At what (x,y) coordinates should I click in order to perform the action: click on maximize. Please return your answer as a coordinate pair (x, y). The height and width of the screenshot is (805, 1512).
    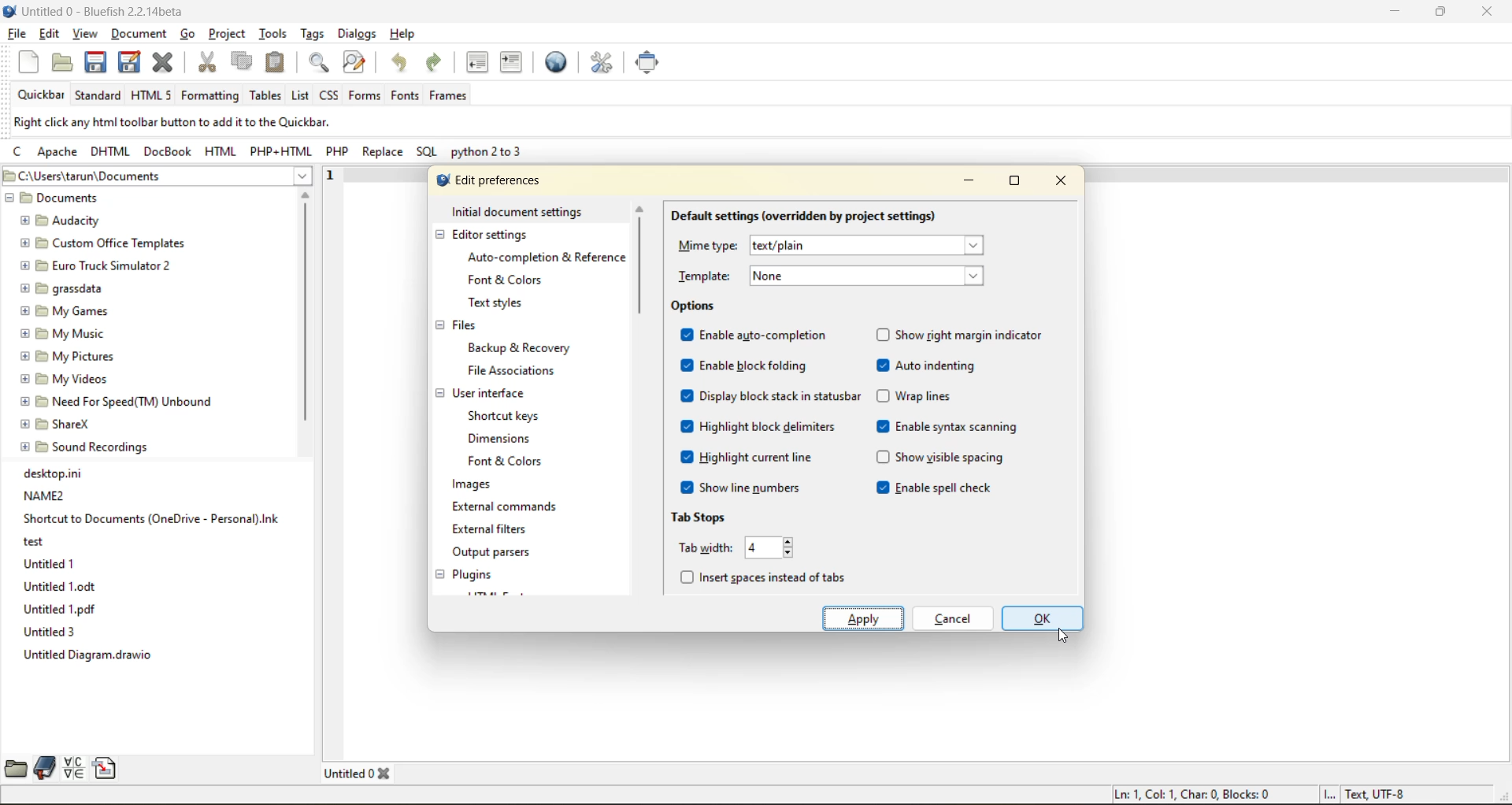
    Looking at the image, I should click on (1012, 184).